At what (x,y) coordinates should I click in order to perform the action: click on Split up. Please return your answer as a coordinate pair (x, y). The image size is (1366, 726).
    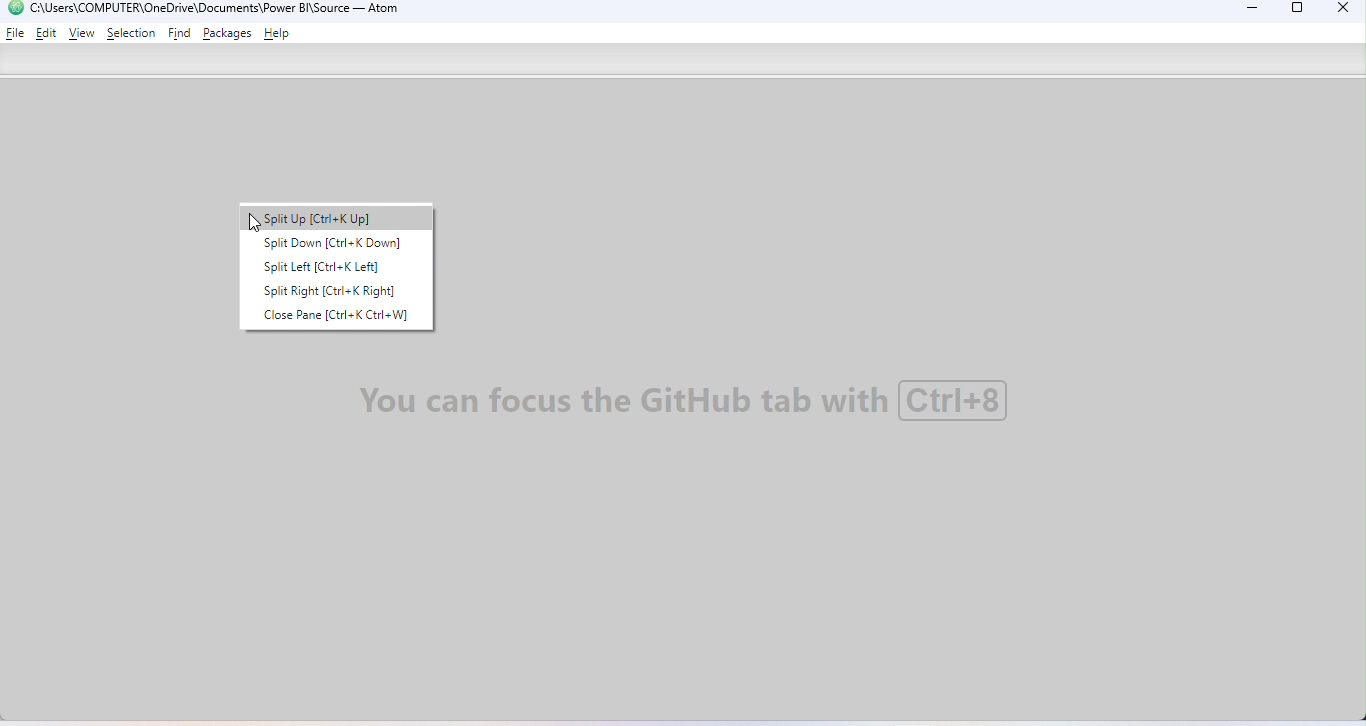
    Looking at the image, I should click on (341, 218).